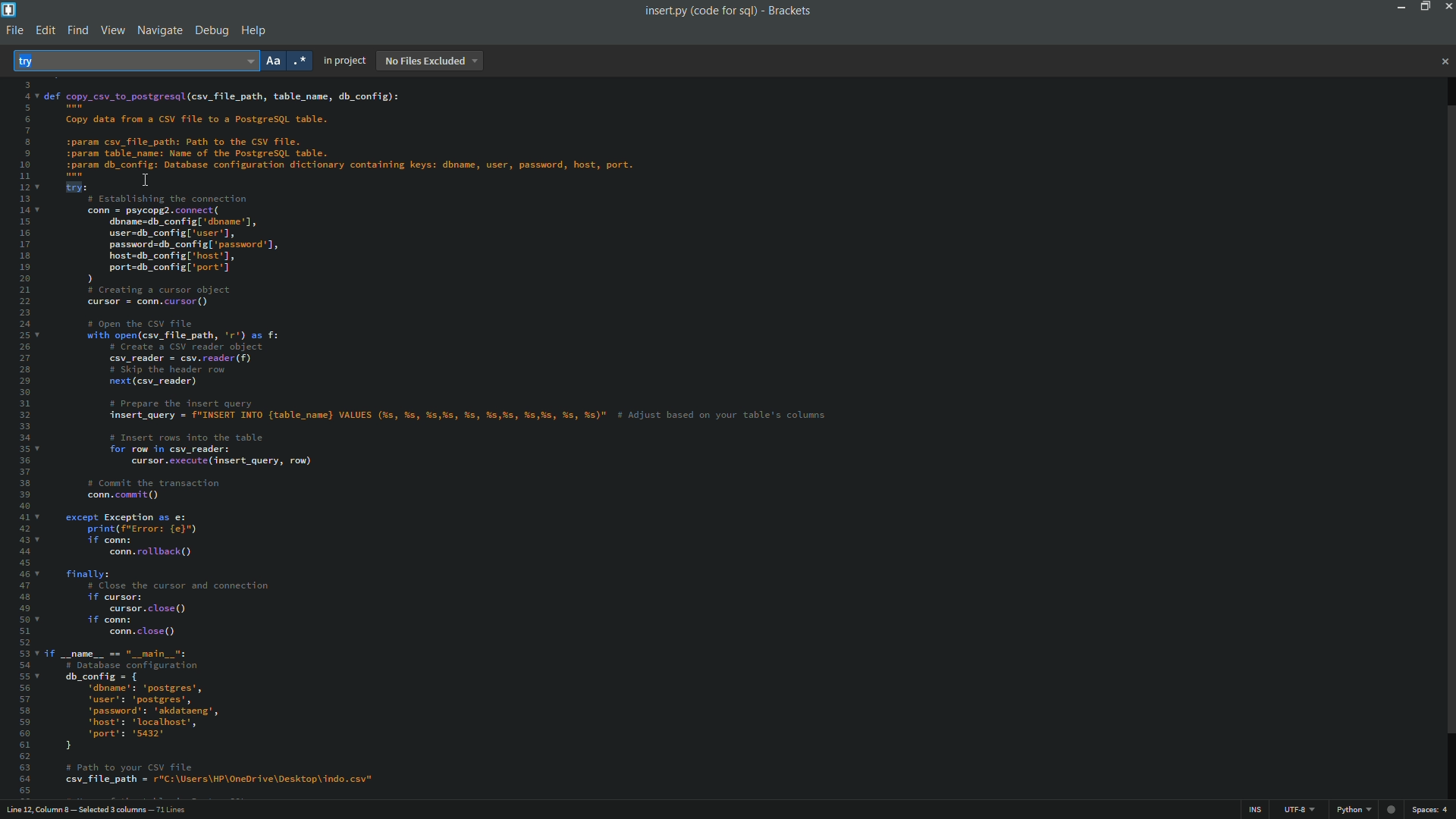 The image size is (1456, 819). What do you see at coordinates (1301, 811) in the screenshot?
I see `file encoding` at bounding box center [1301, 811].